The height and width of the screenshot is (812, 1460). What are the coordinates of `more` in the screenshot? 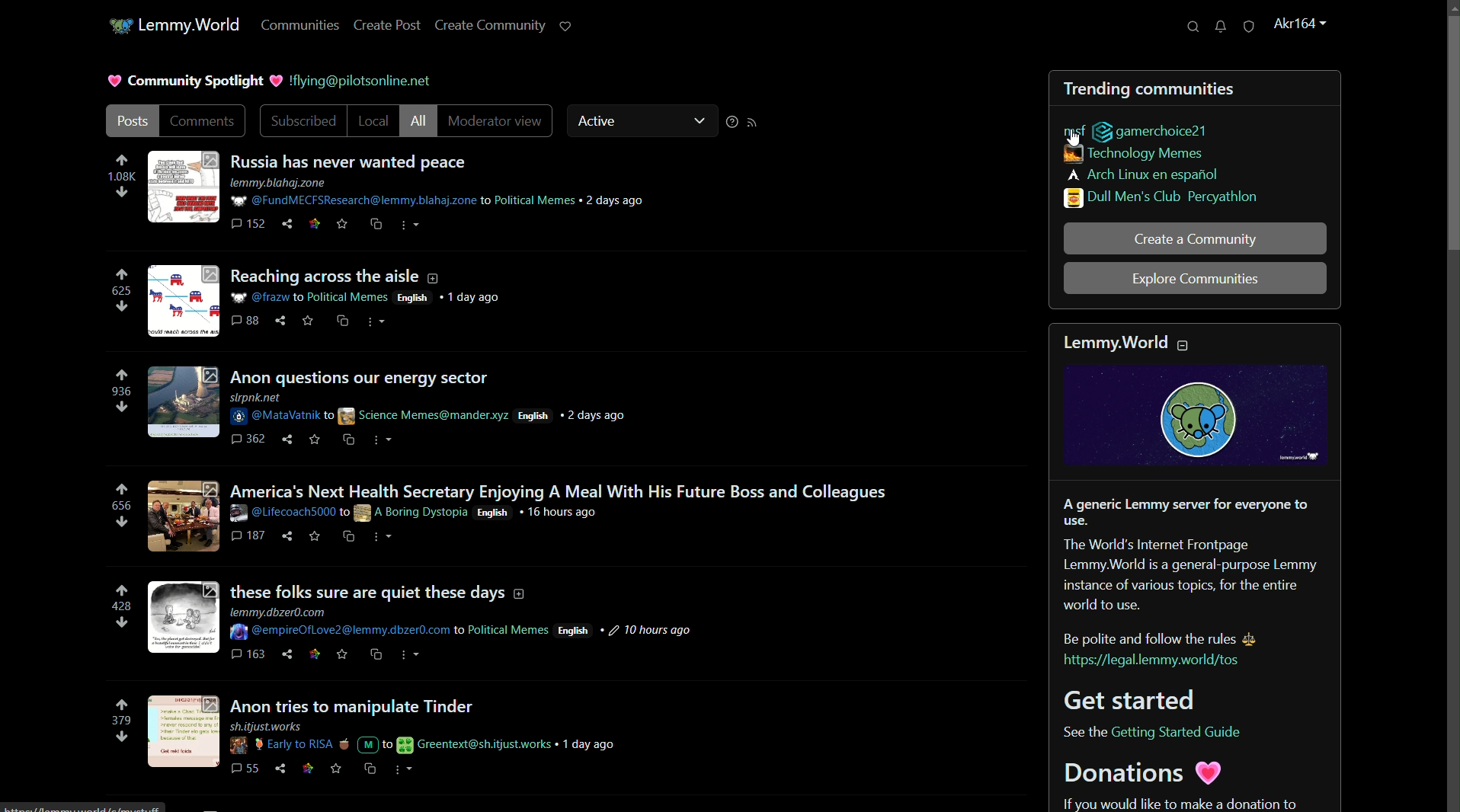 It's located at (409, 654).